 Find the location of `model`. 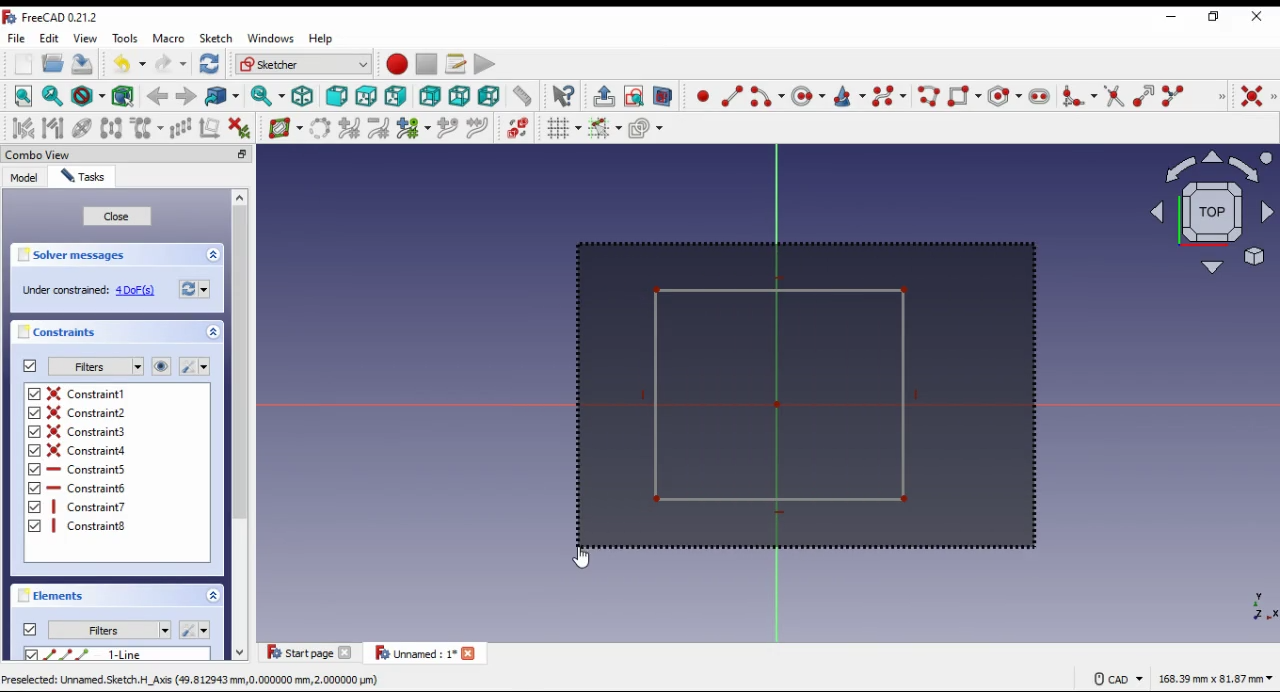

model is located at coordinates (24, 177).